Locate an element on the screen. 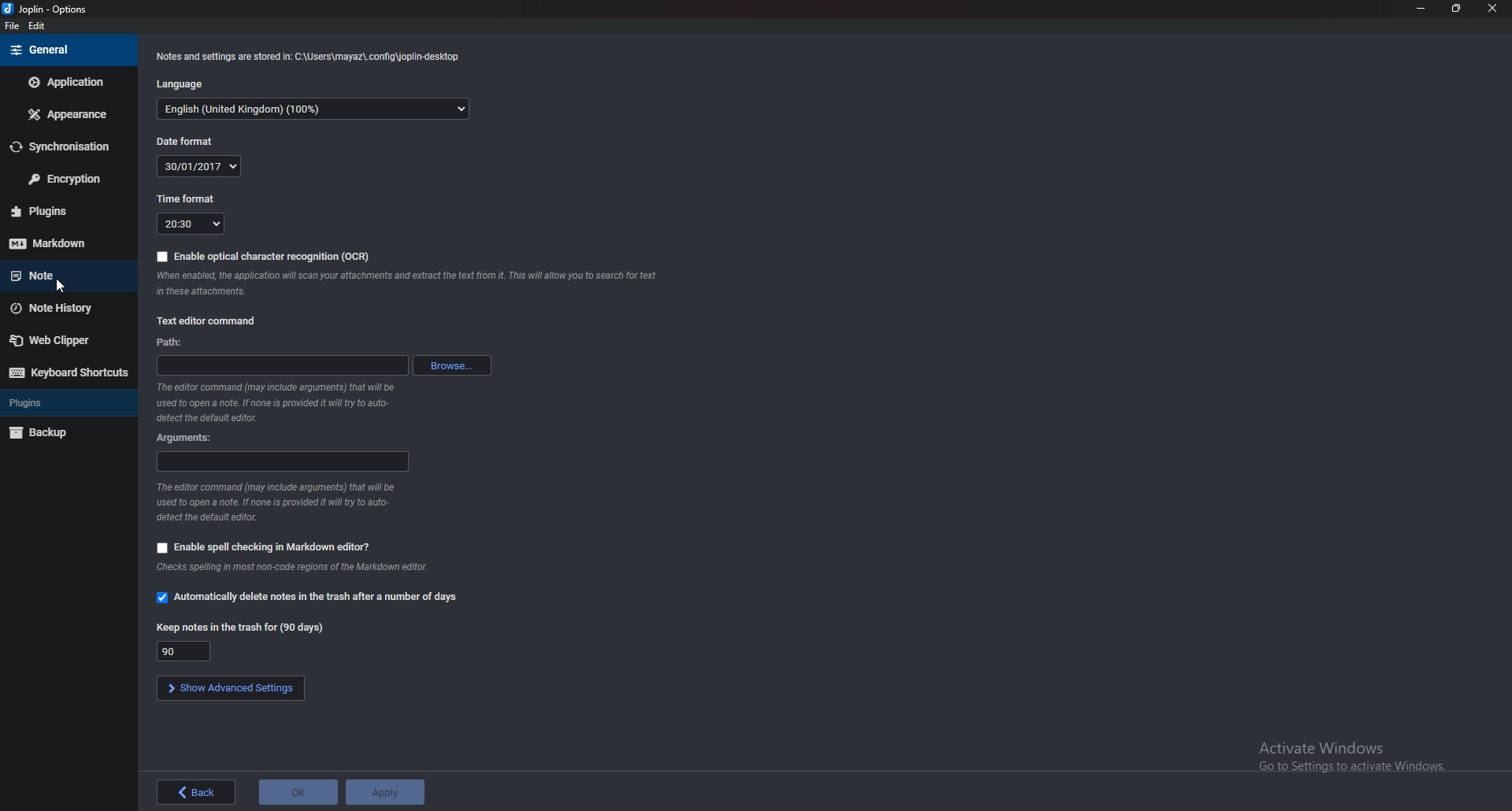 This screenshot has height=811, width=1512. Note history is located at coordinates (61, 308).